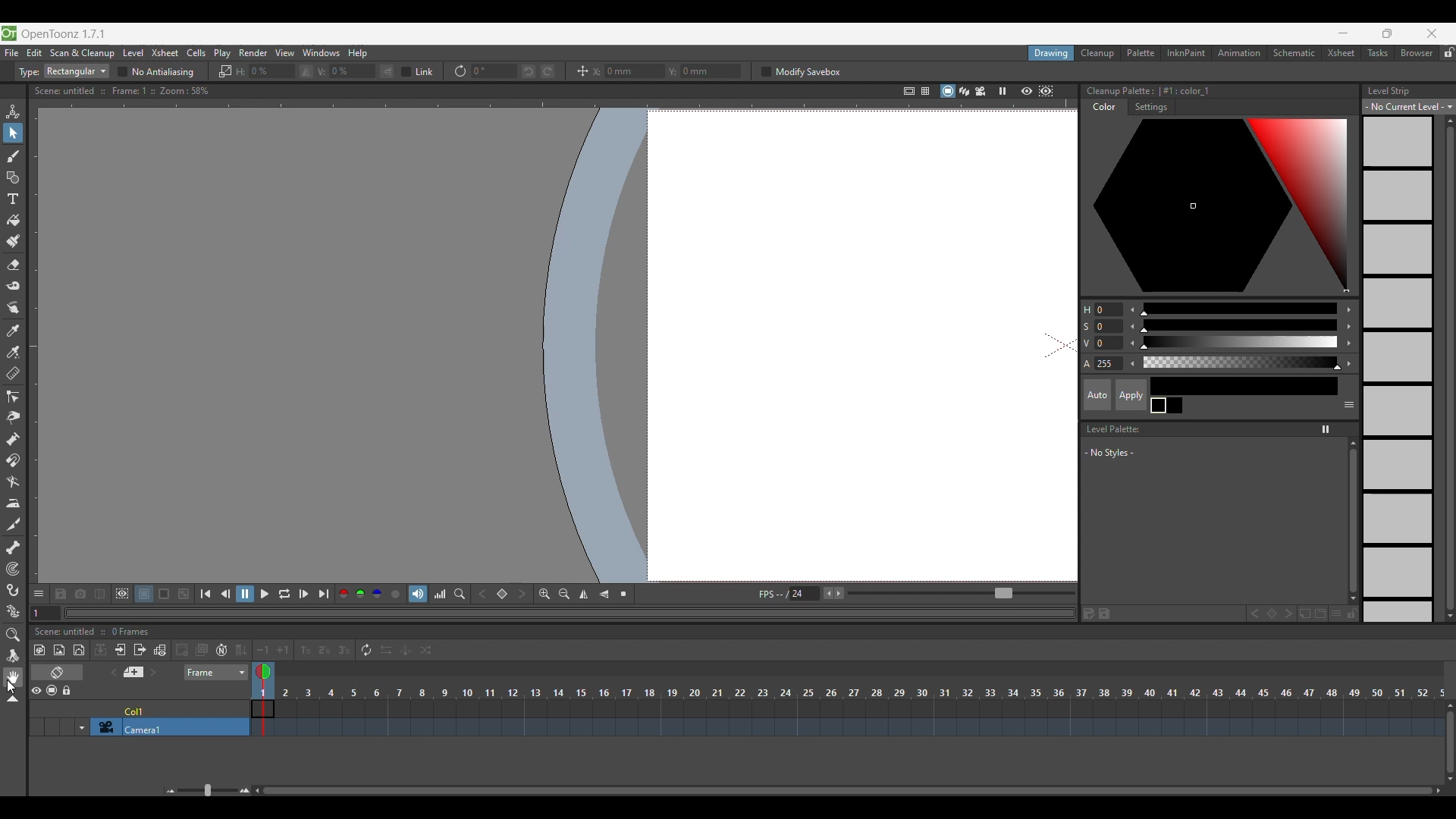 Image resolution: width=1456 pixels, height=819 pixels. Describe the element at coordinates (902, 89) in the screenshot. I see `Safe area` at that location.